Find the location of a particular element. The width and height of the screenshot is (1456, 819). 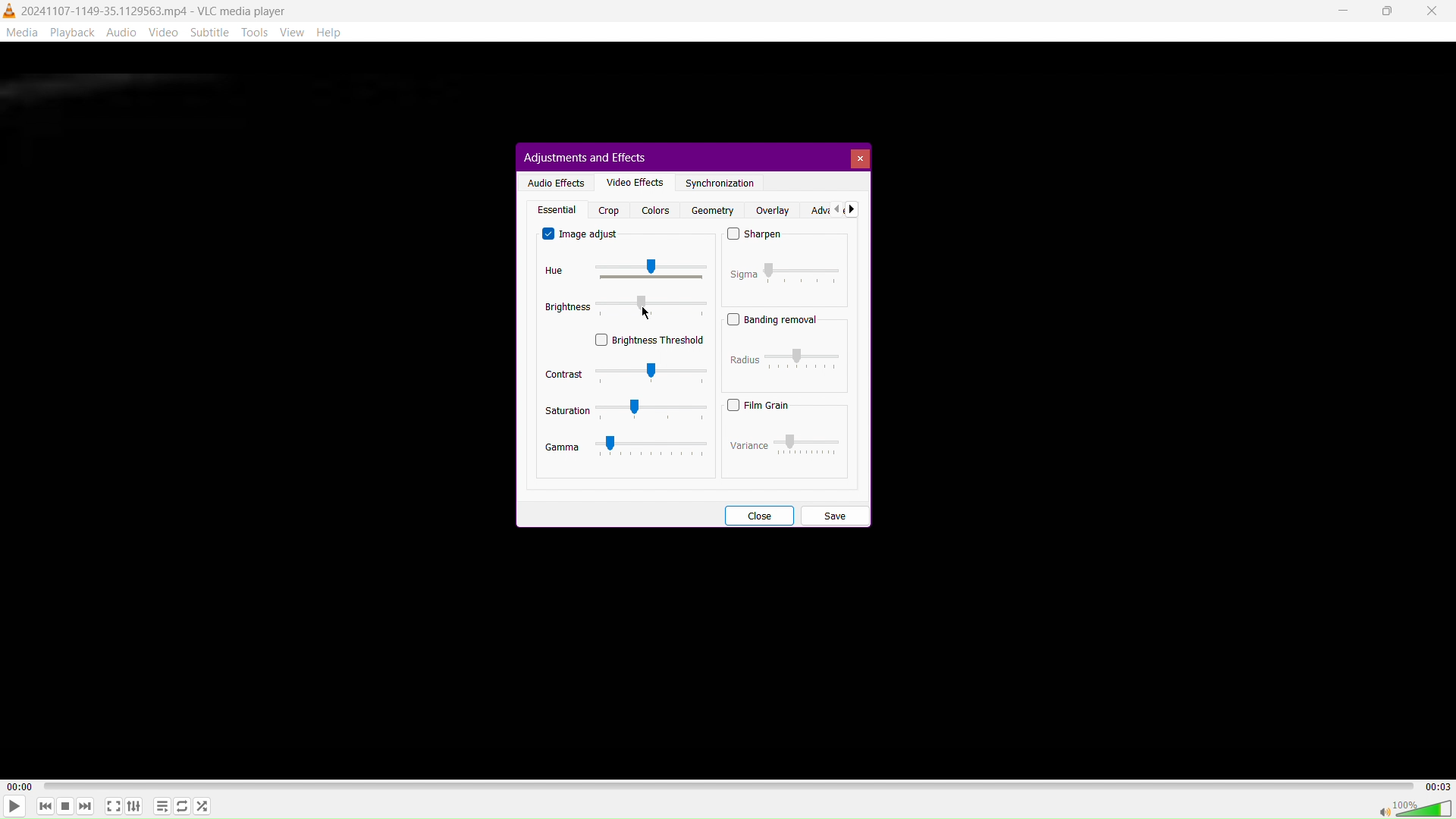

Close is located at coordinates (859, 158).